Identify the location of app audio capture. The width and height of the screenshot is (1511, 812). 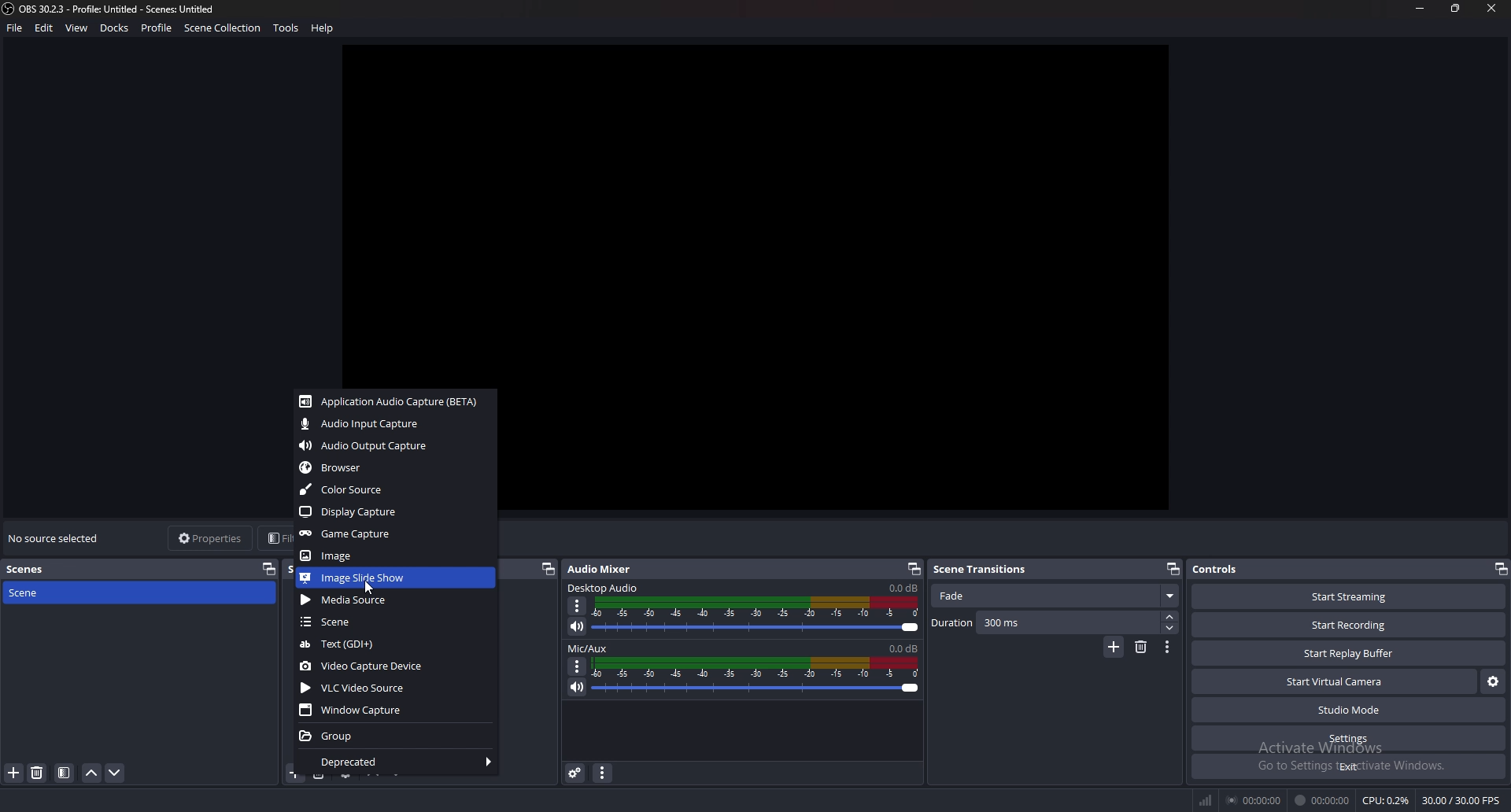
(393, 402).